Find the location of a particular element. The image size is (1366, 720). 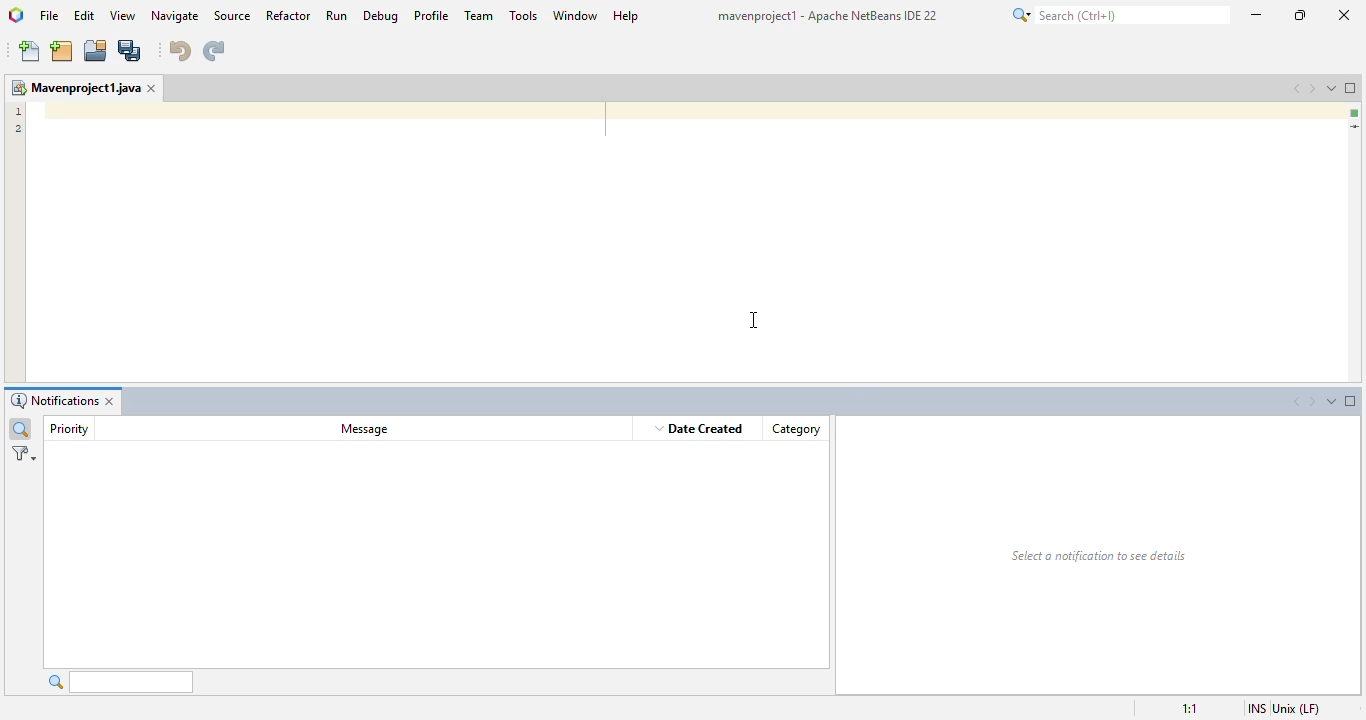

category is located at coordinates (796, 429).